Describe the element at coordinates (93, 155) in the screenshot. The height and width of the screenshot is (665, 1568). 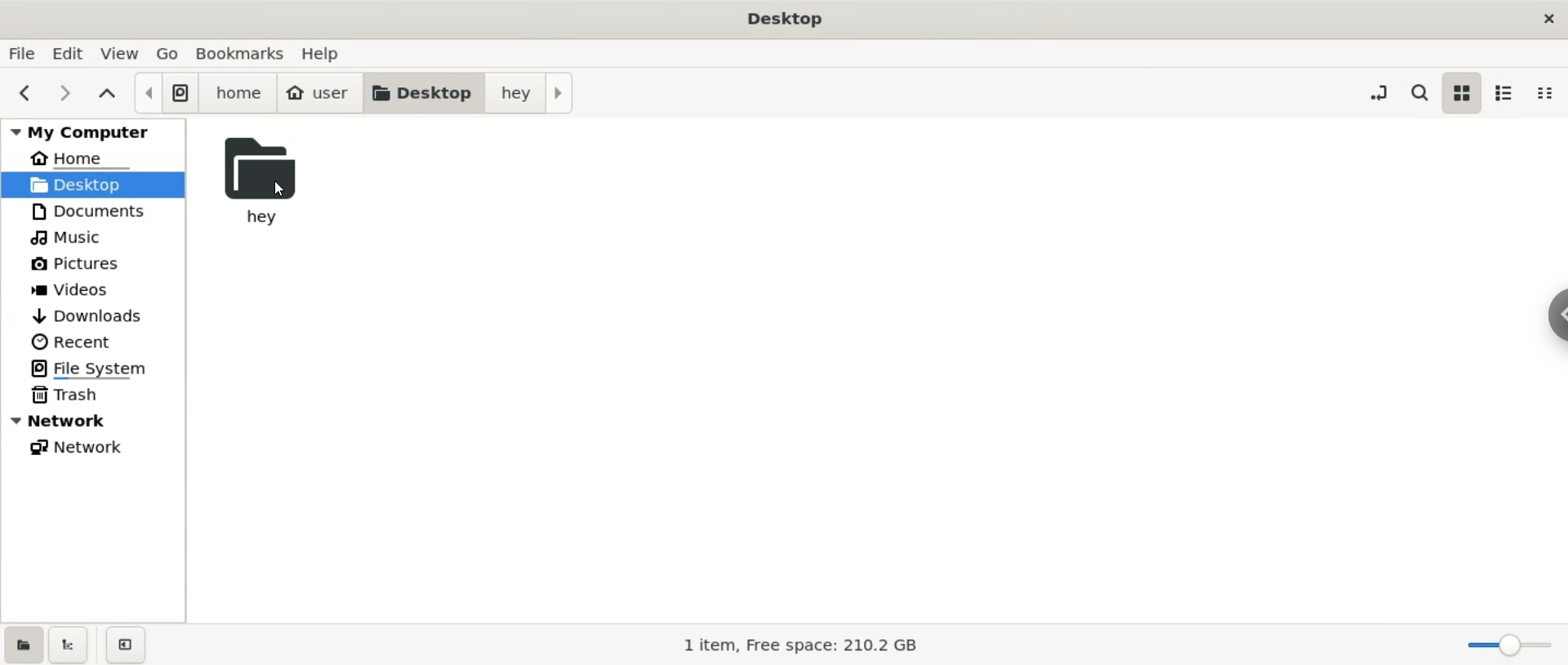
I see `home` at that location.